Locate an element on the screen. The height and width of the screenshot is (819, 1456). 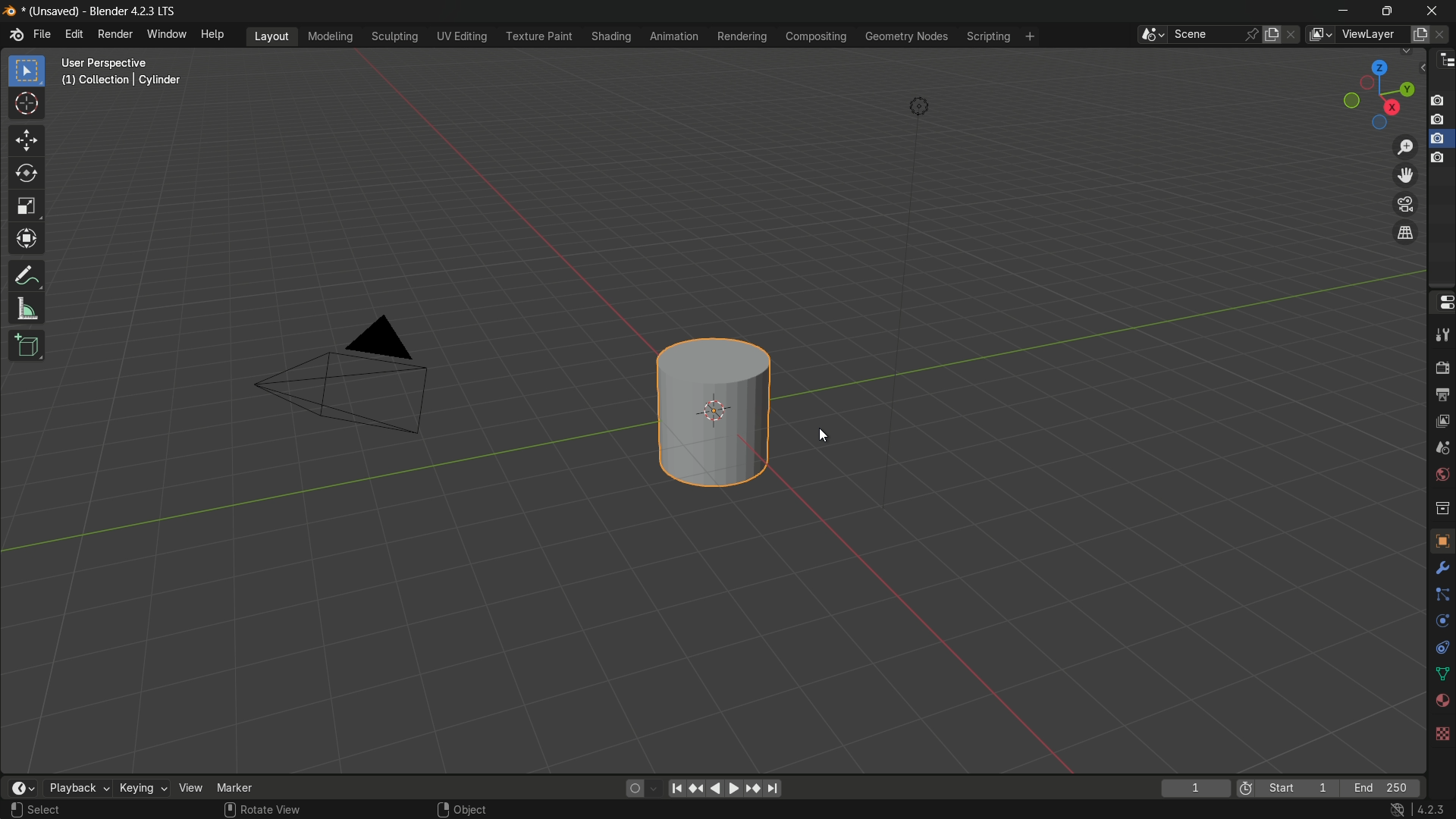
window menu is located at coordinates (168, 36).